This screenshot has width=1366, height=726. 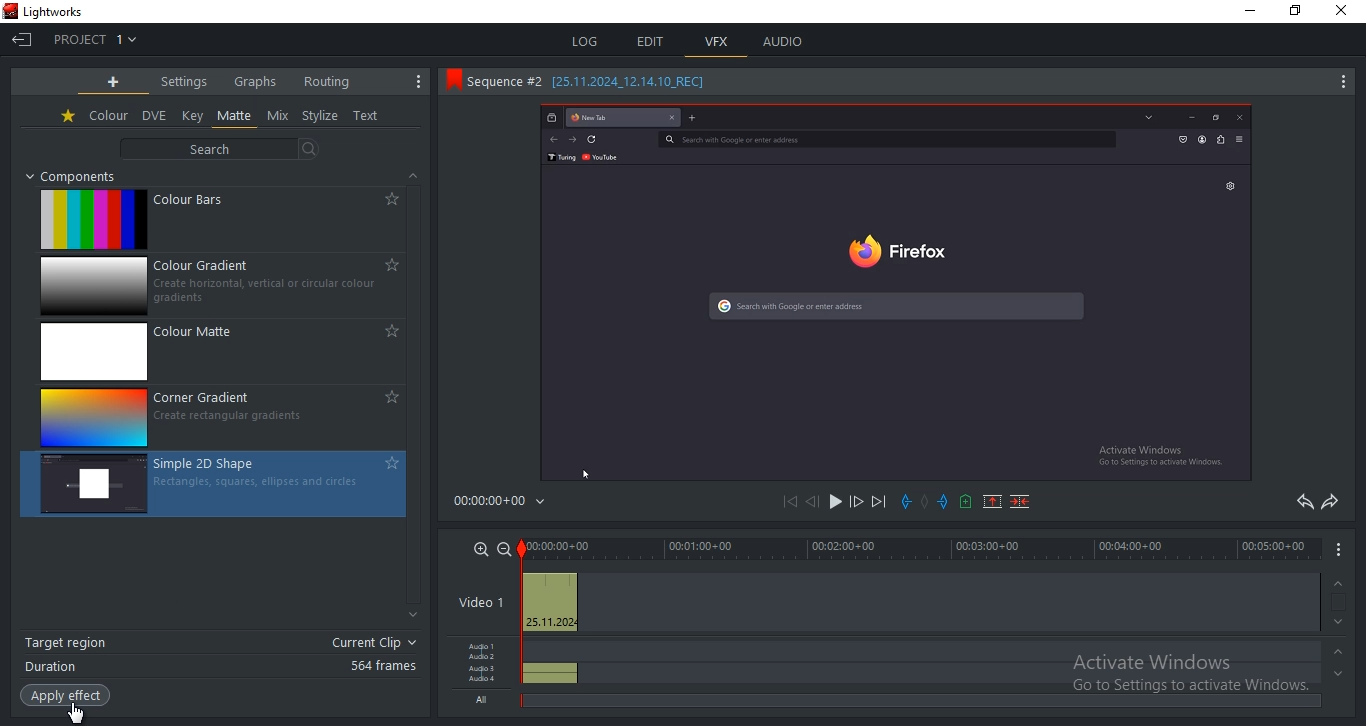 I want to click on zoom in, so click(x=481, y=548).